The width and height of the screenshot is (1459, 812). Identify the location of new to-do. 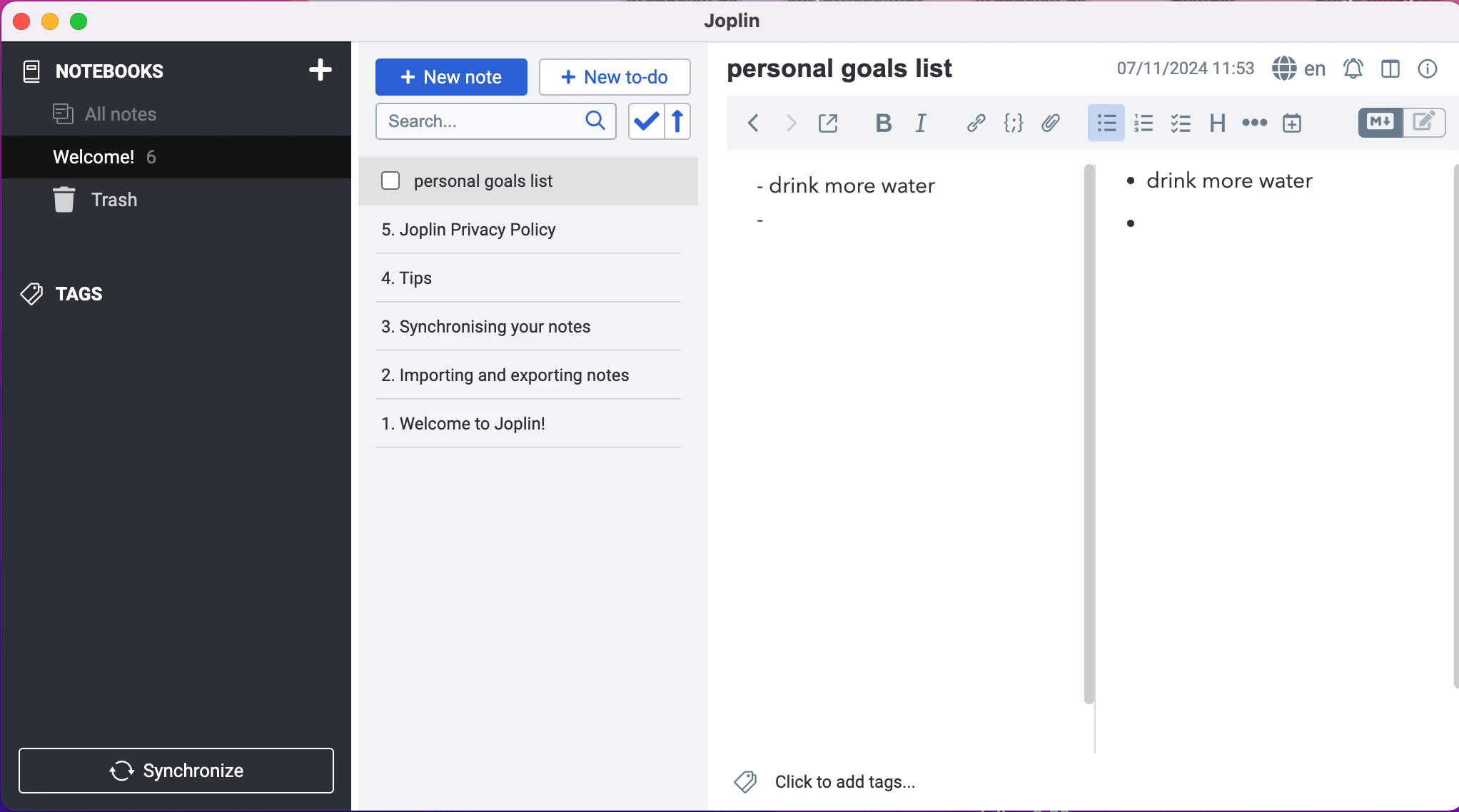
(620, 76).